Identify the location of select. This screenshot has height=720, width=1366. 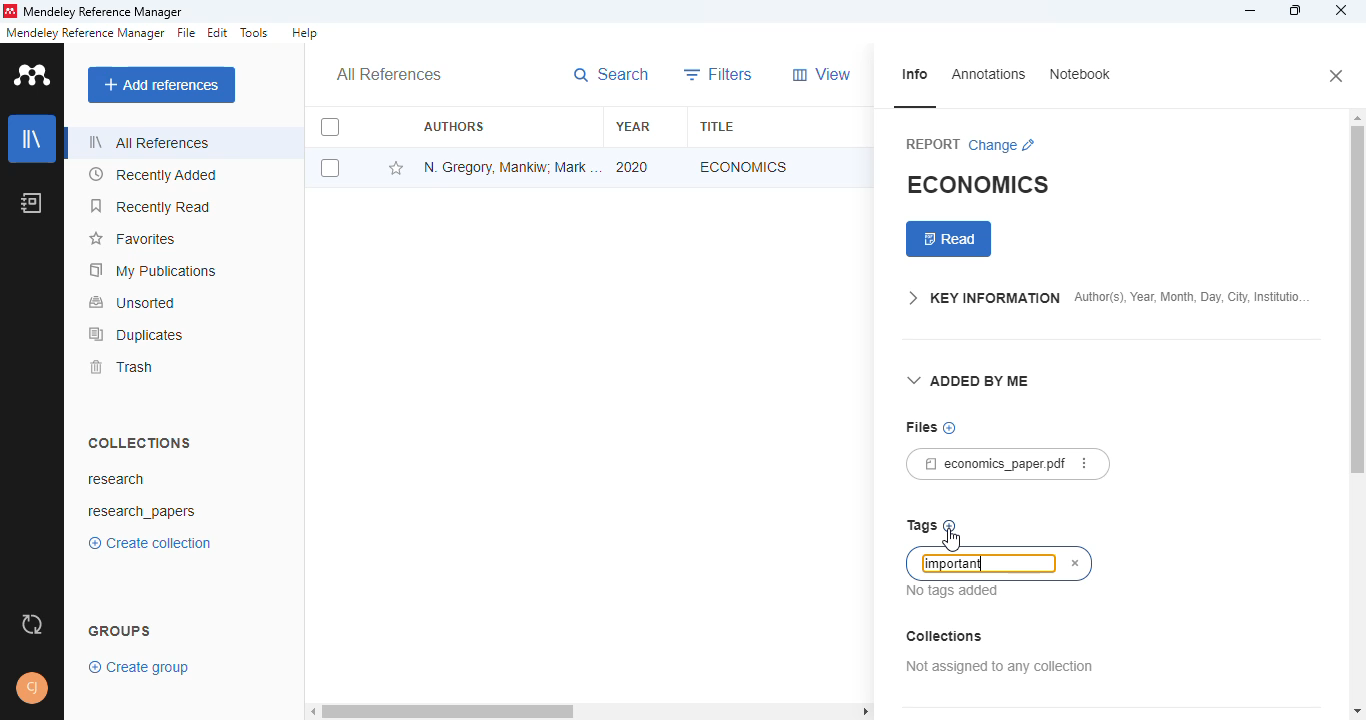
(330, 168).